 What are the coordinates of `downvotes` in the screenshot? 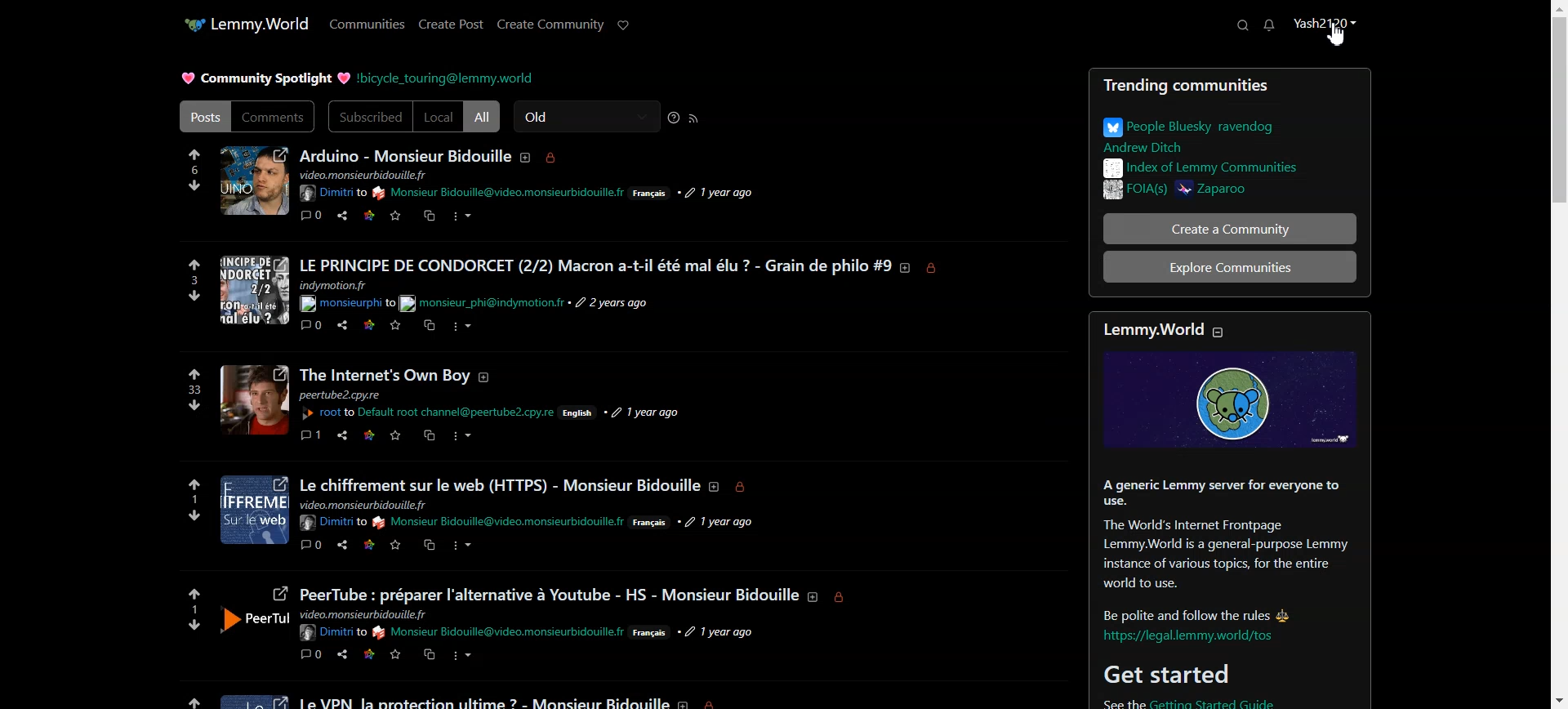 It's located at (188, 299).